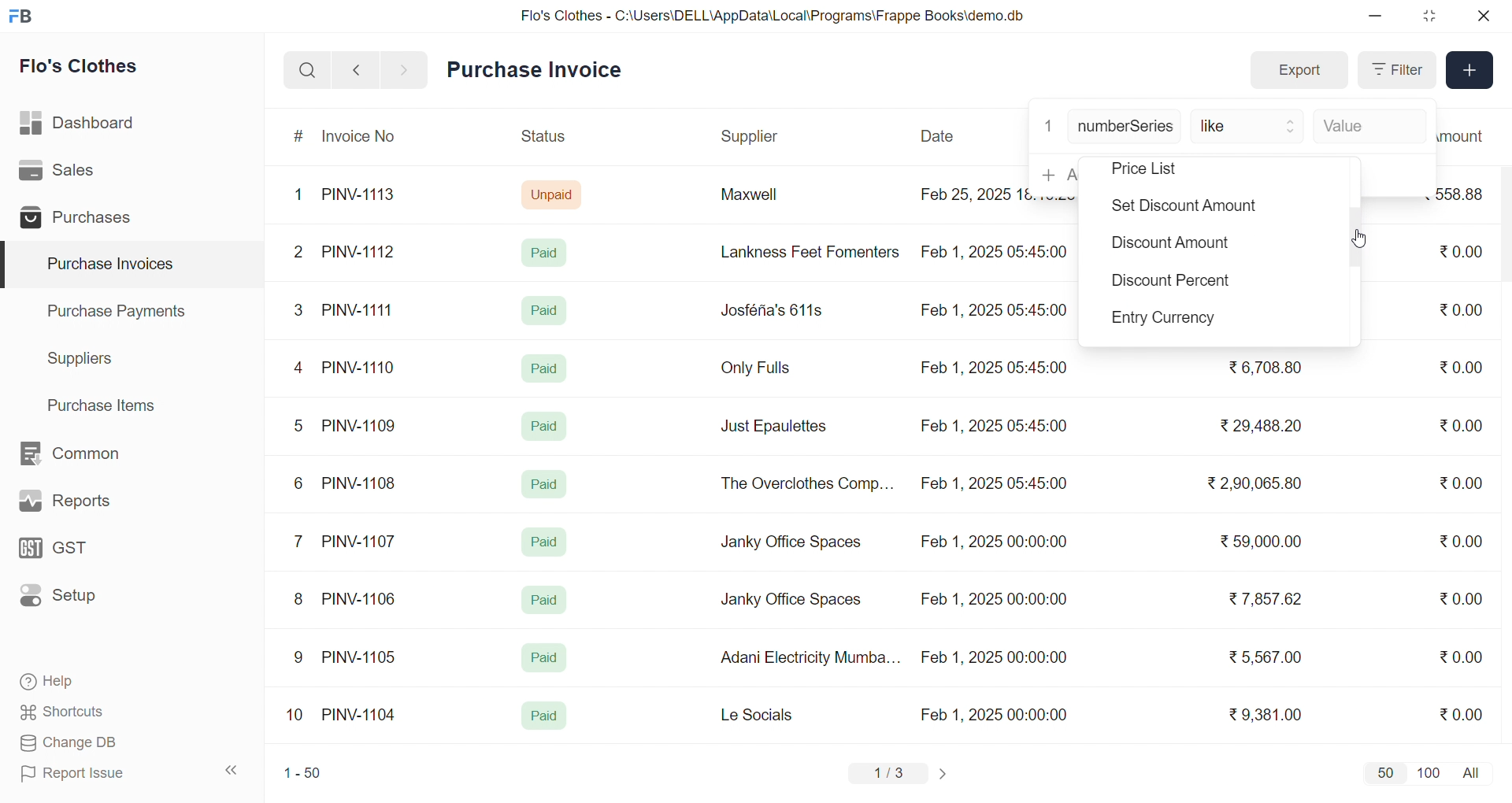 This screenshot has height=803, width=1512. Describe the element at coordinates (767, 200) in the screenshot. I see `Maxwell` at that location.